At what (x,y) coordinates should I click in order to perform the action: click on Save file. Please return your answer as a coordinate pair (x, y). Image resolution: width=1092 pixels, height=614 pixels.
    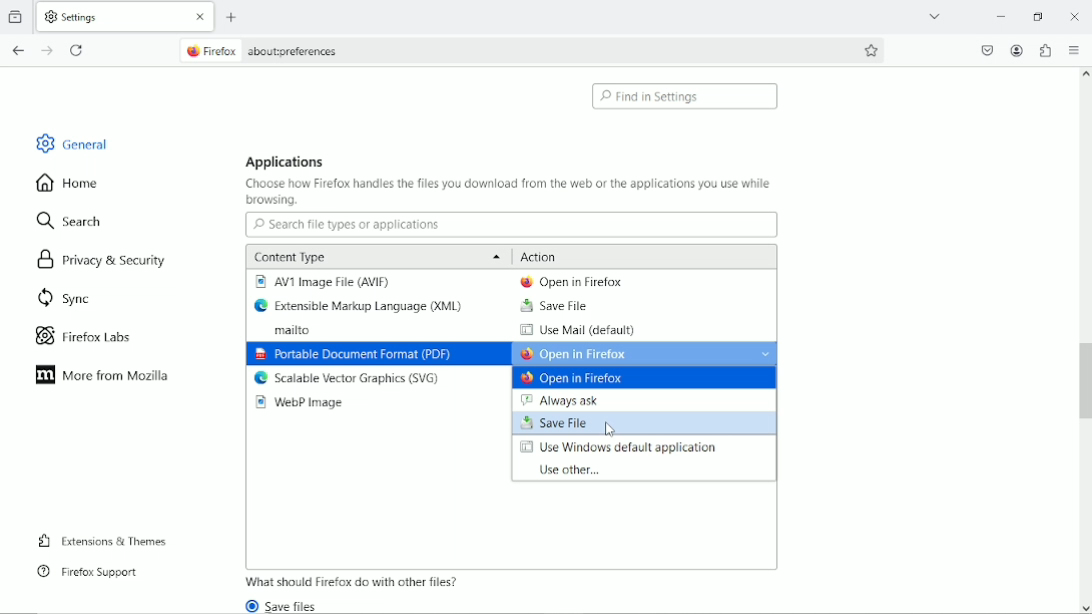
    Looking at the image, I should click on (553, 306).